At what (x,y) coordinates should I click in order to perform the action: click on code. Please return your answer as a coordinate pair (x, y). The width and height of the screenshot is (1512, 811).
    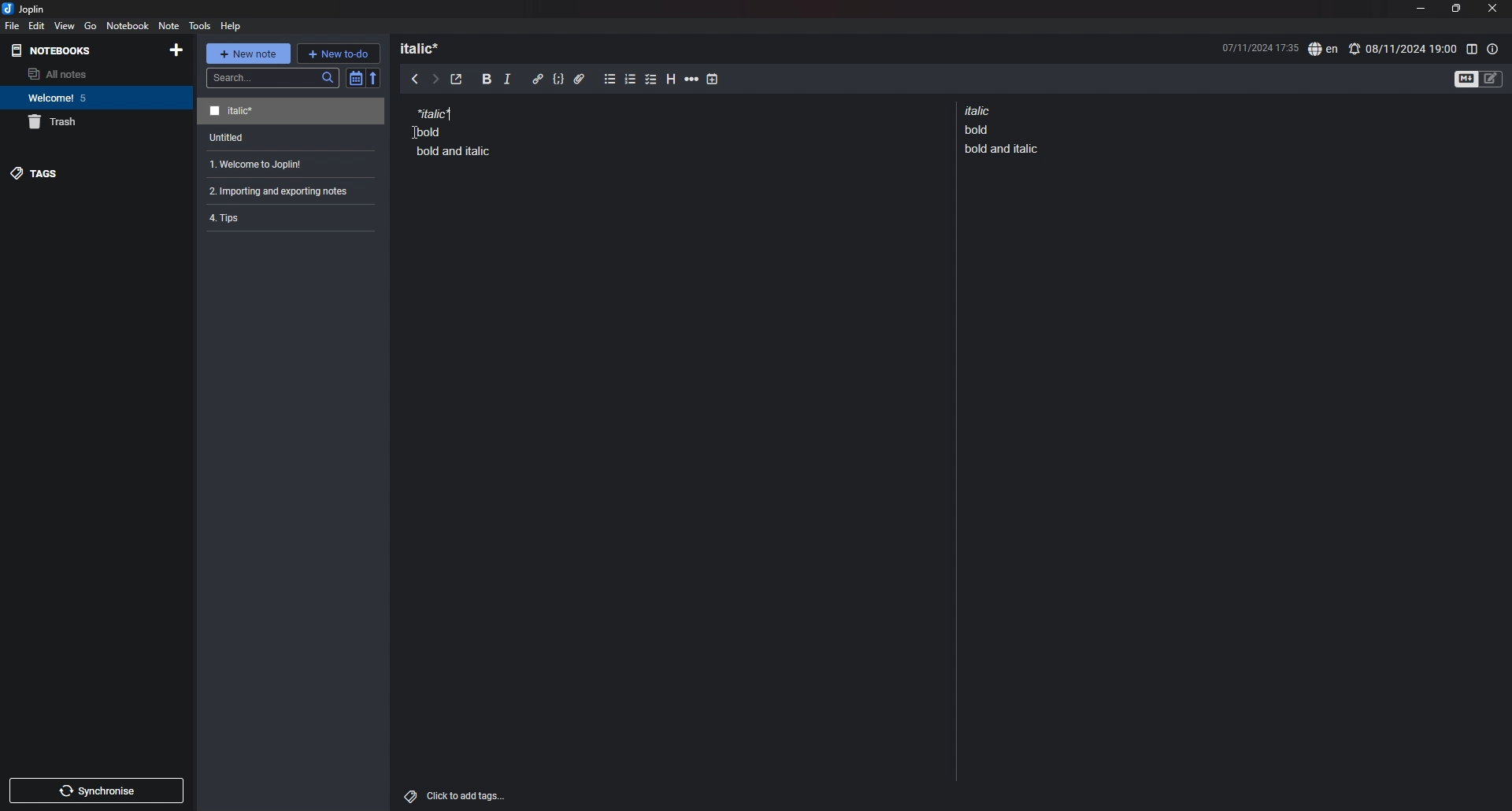
    Looking at the image, I should click on (558, 80).